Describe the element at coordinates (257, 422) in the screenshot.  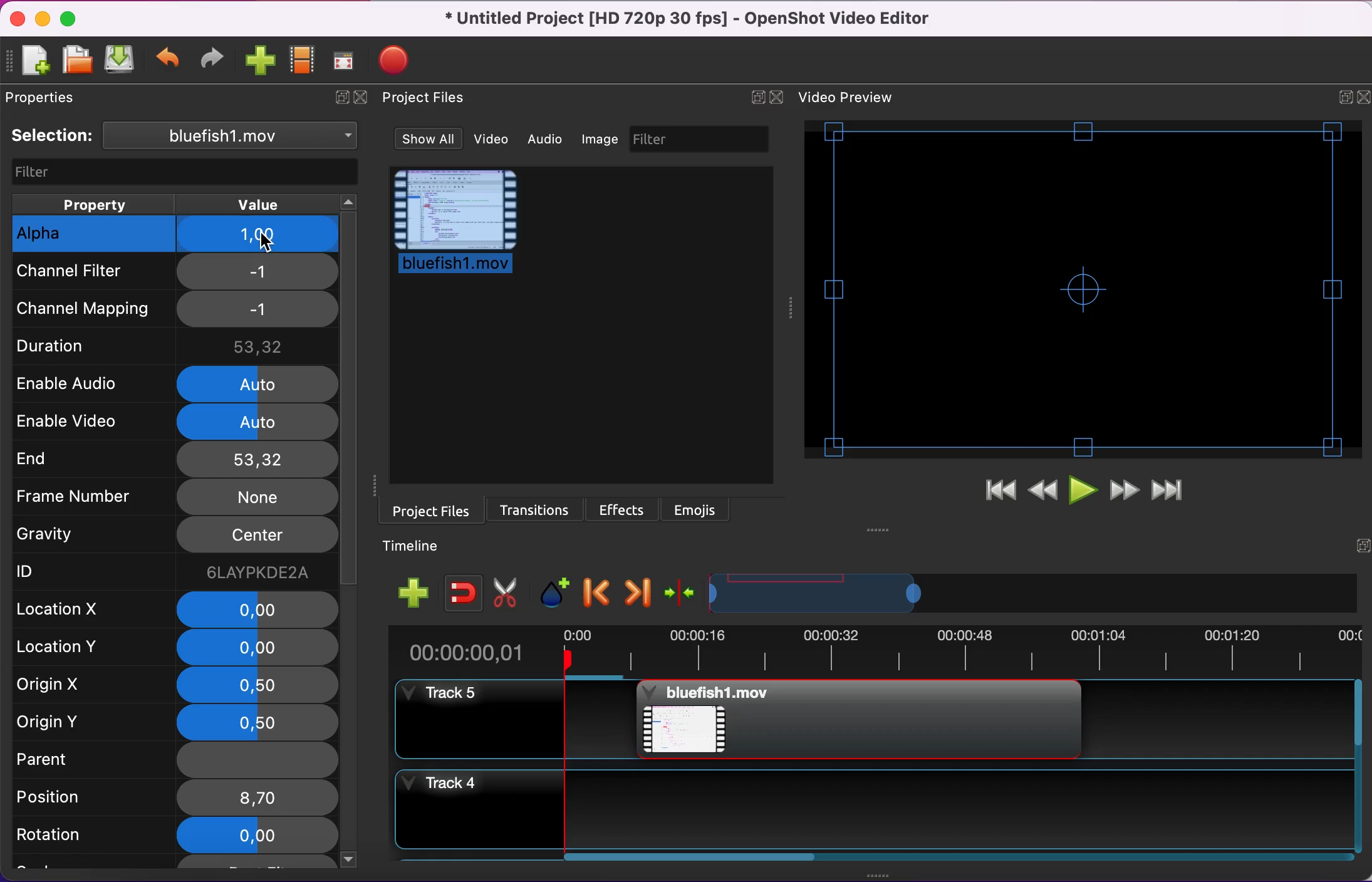
I see `auto` at that location.